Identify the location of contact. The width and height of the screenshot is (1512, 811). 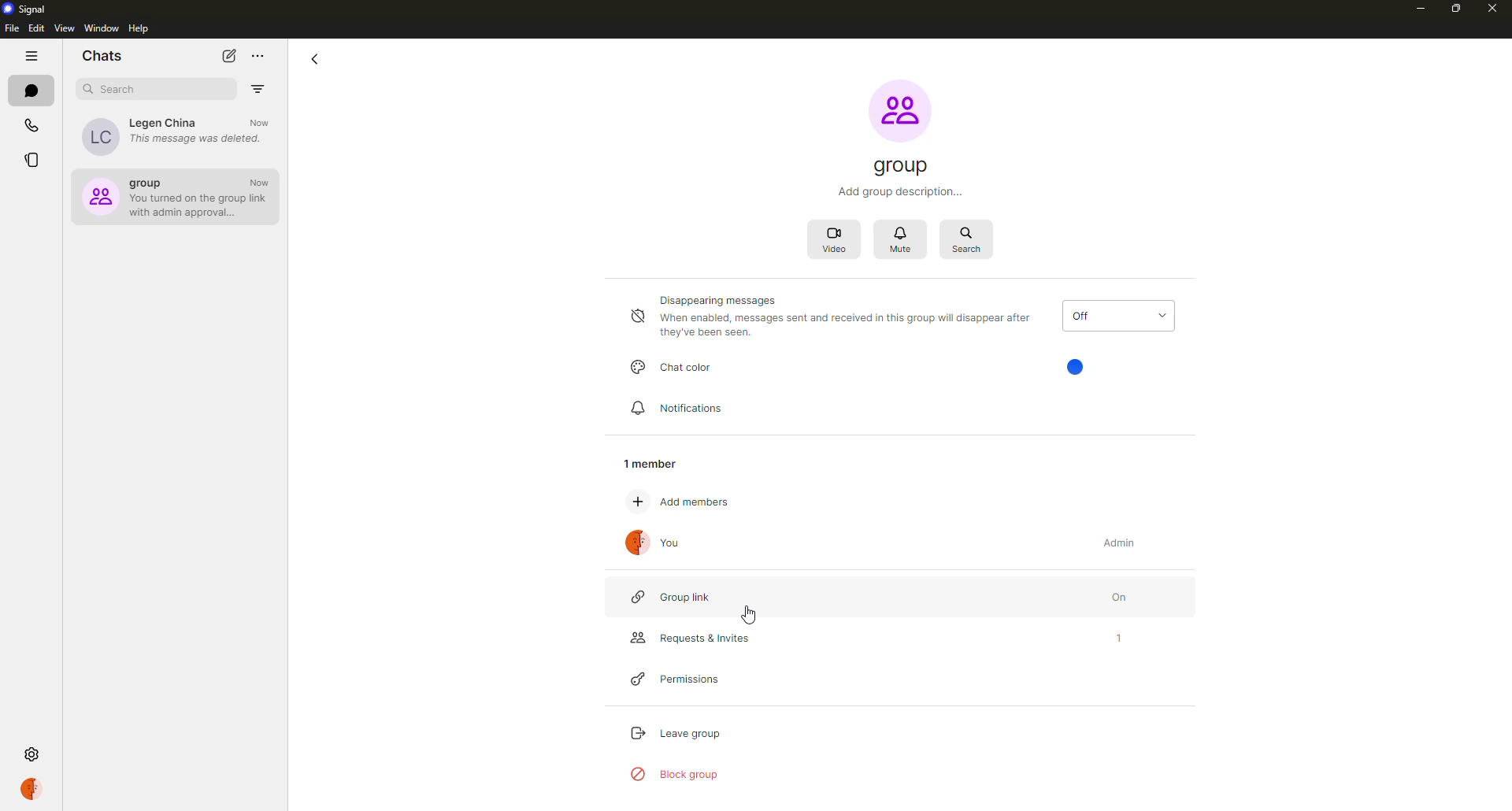
(176, 135).